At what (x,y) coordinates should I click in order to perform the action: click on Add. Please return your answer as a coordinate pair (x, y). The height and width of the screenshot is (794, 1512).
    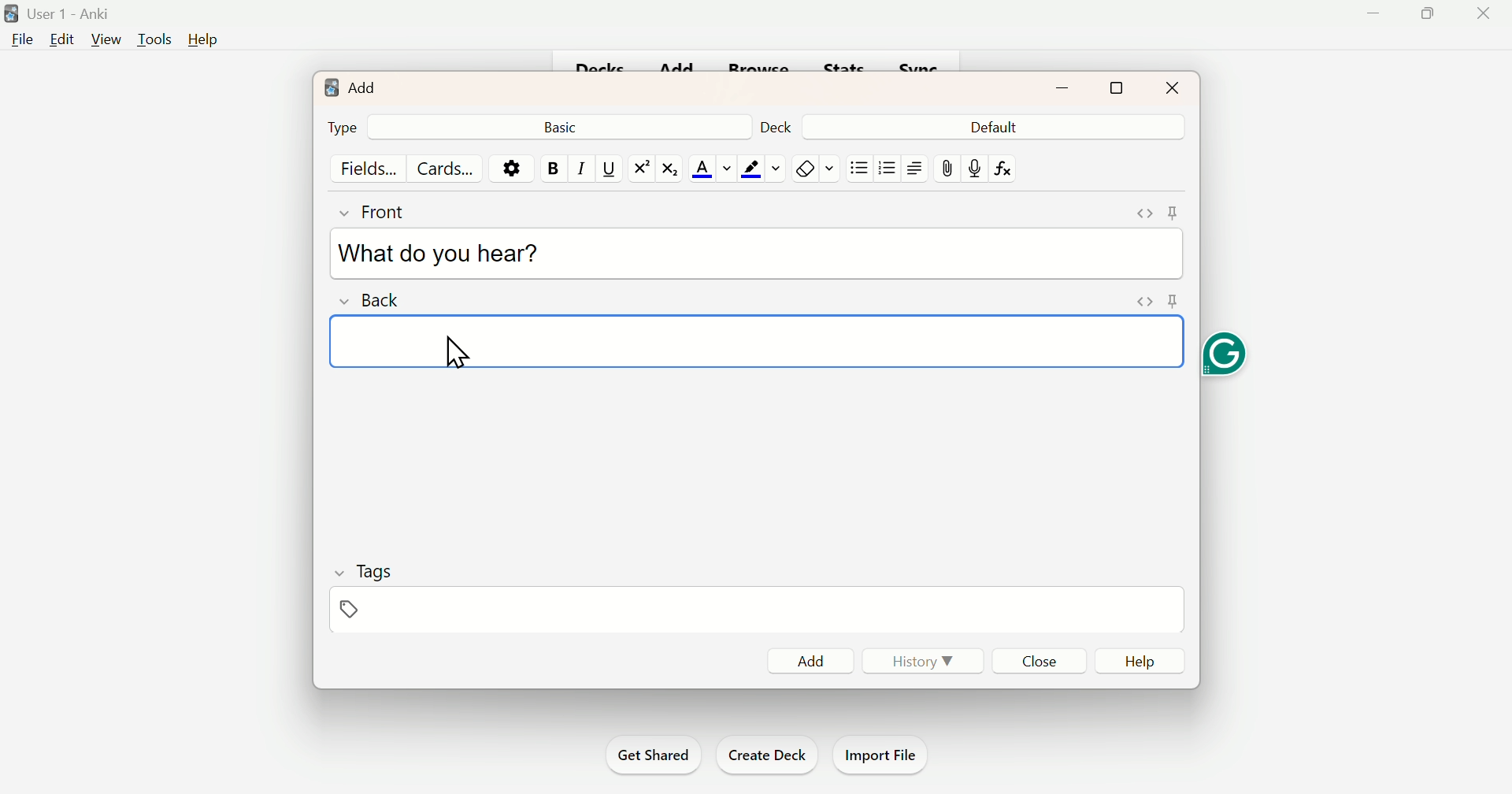
    Looking at the image, I should click on (353, 89).